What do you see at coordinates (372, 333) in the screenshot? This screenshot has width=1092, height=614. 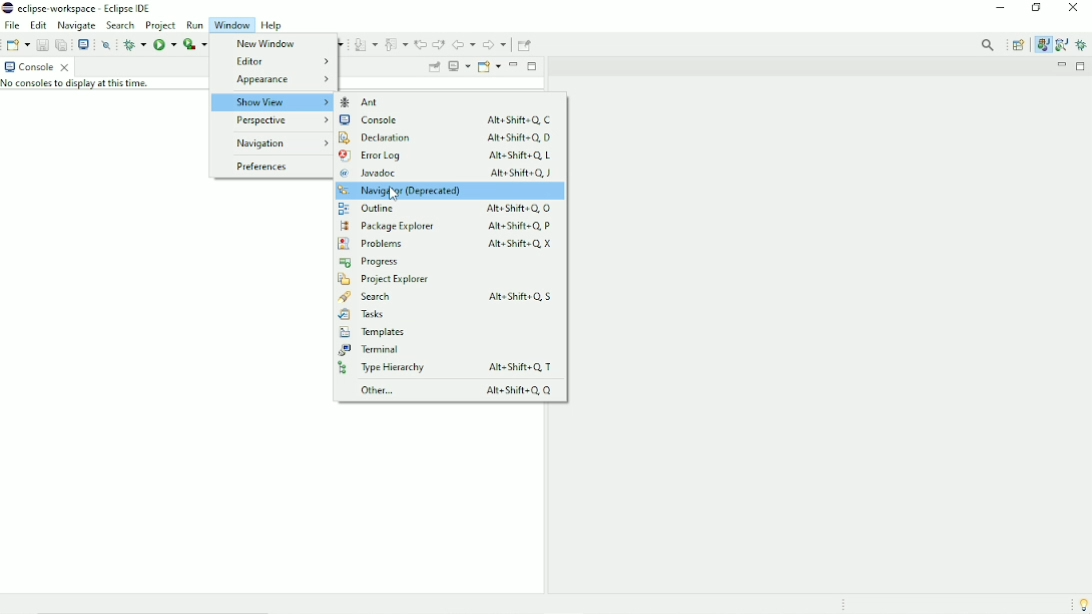 I see `Templates` at bounding box center [372, 333].